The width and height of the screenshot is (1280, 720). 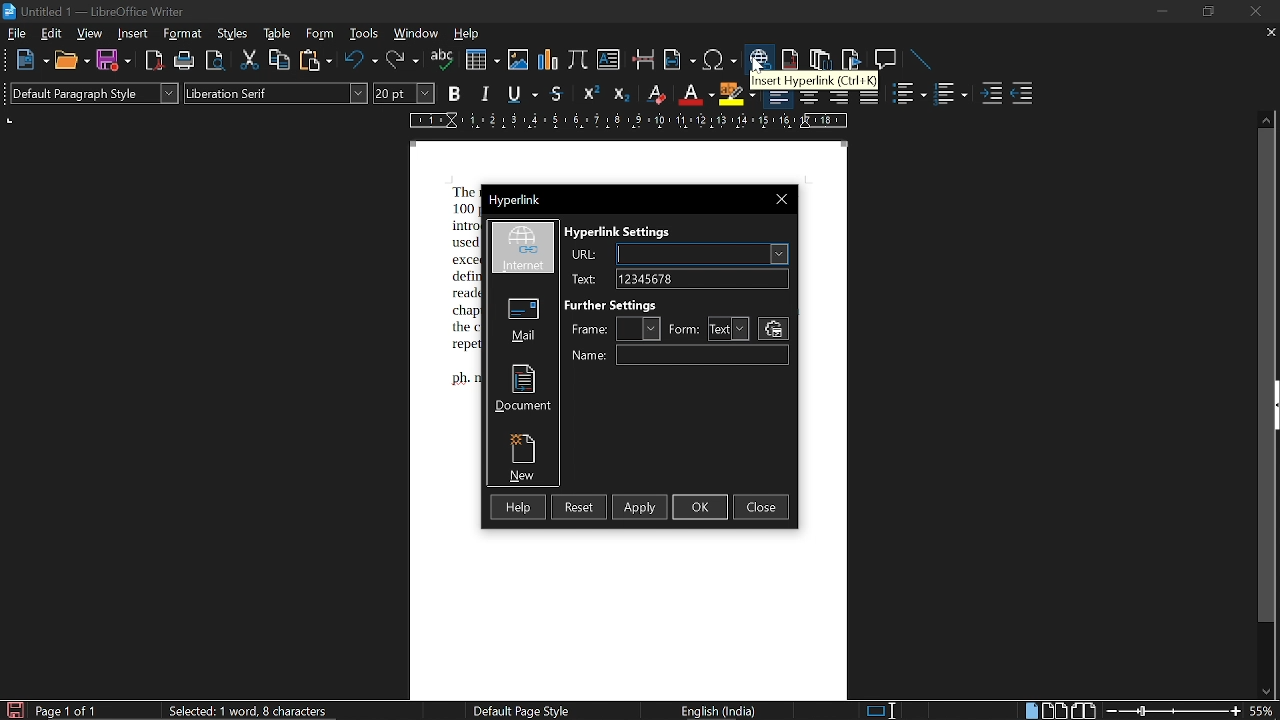 What do you see at coordinates (443, 61) in the screenshot?
I see `spell check` at bounding box center [443, 61].